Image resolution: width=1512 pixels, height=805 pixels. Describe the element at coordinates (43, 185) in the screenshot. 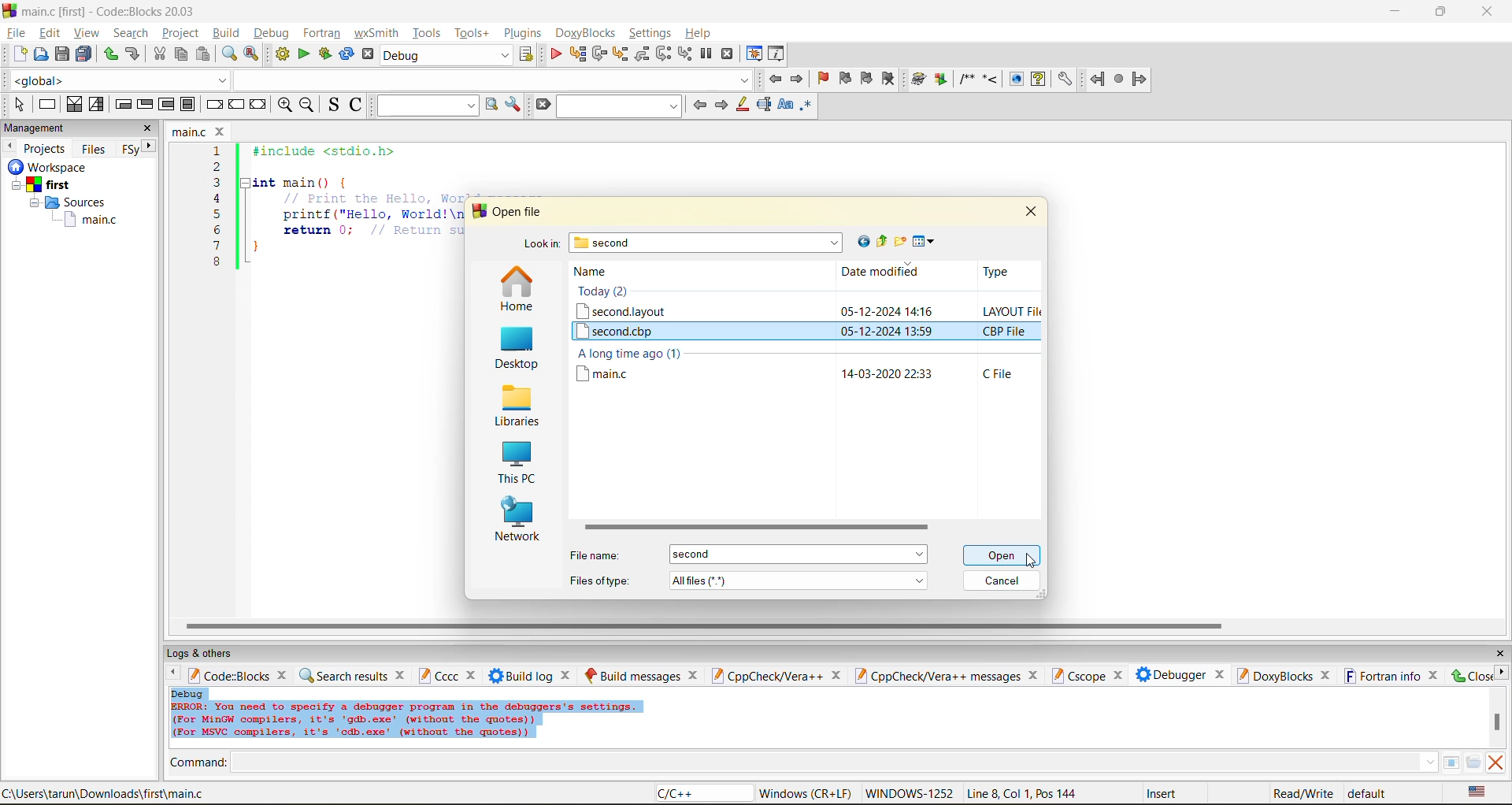

I see `first project` at that location.